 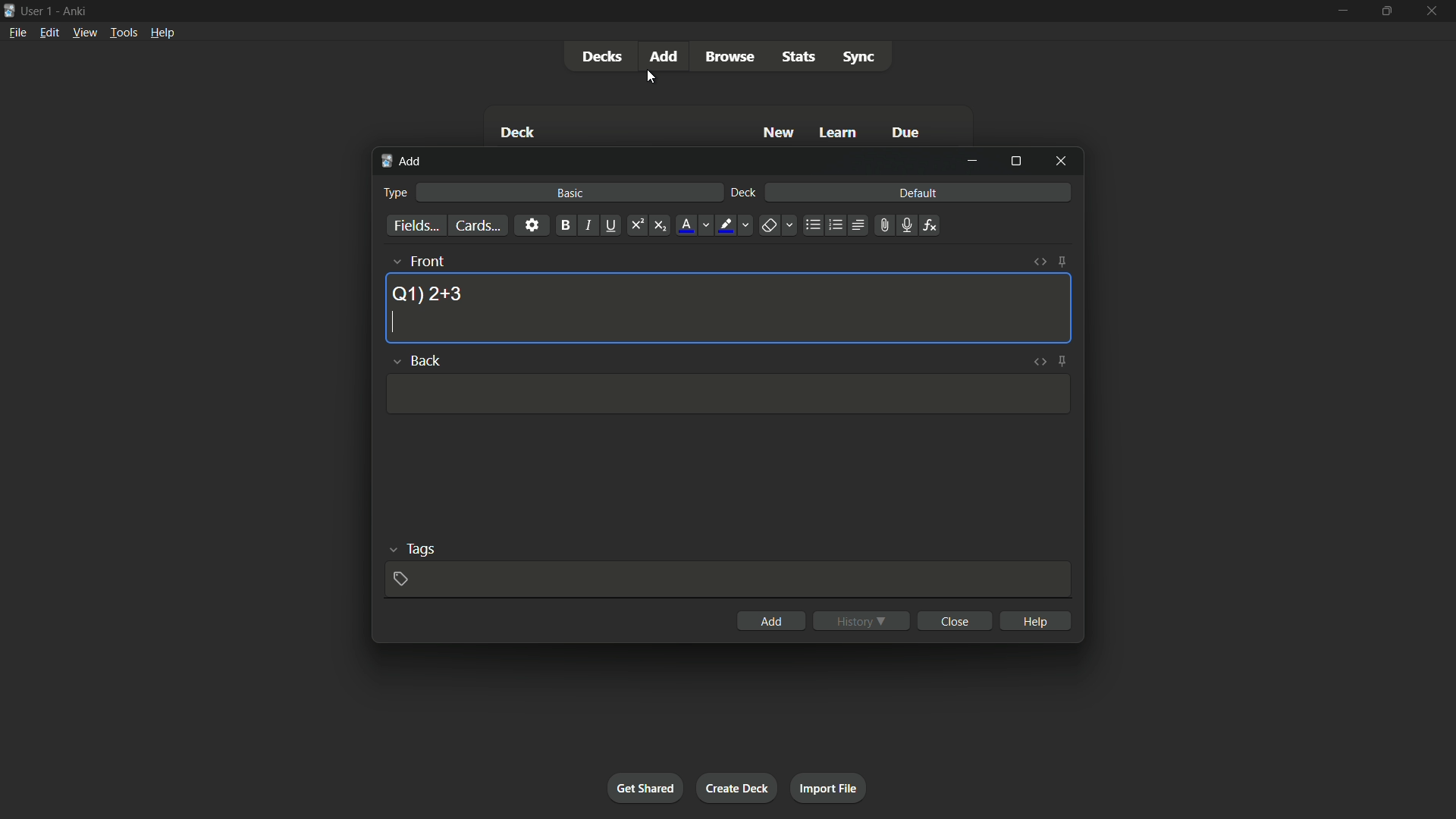 I want to click on type, so click(x=394, y=193).